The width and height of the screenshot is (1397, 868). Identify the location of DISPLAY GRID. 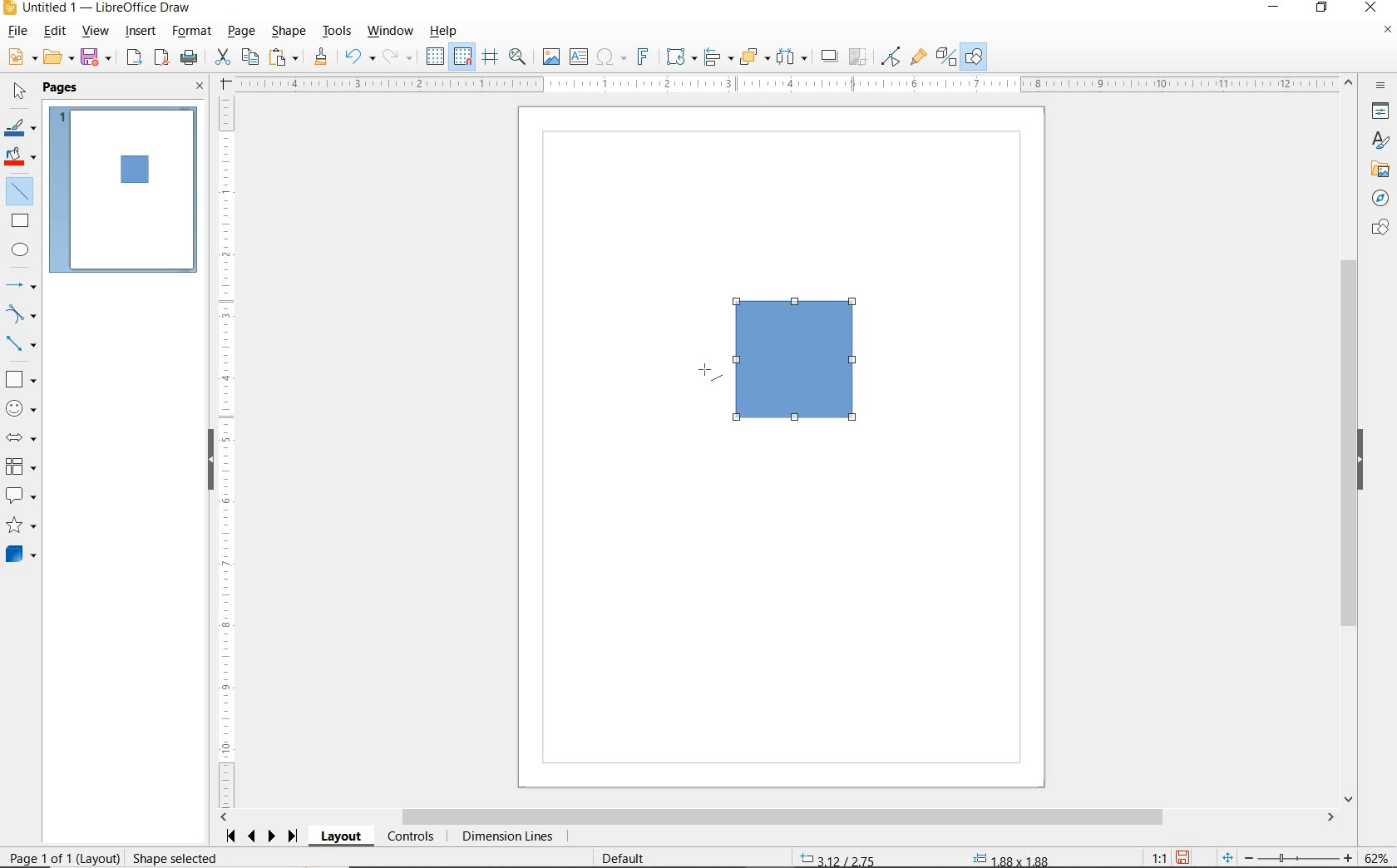
(437, 57).